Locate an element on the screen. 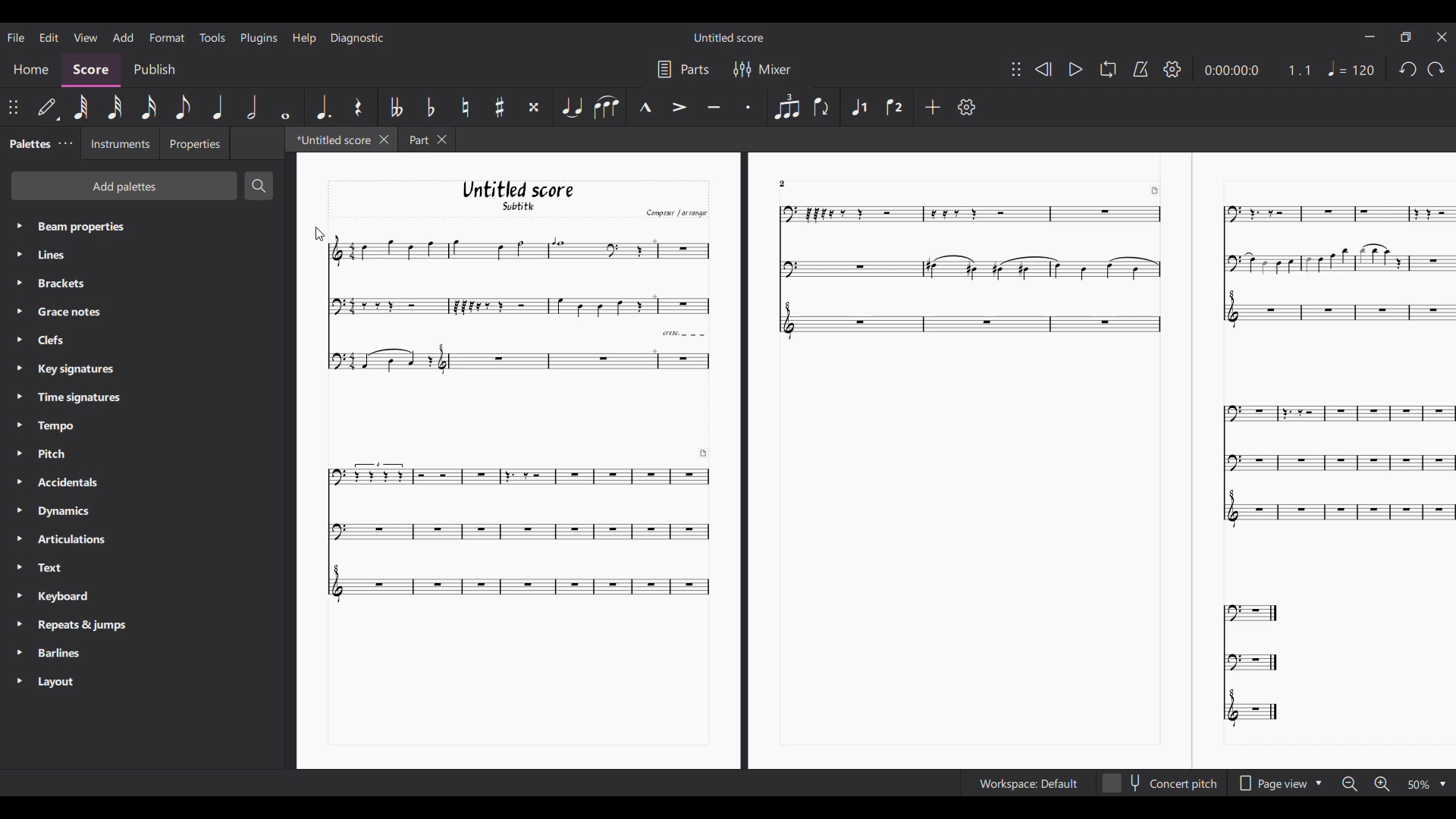 The height and width of the screenshot is (819, 1456).  is located at coordinates (1341, 260).